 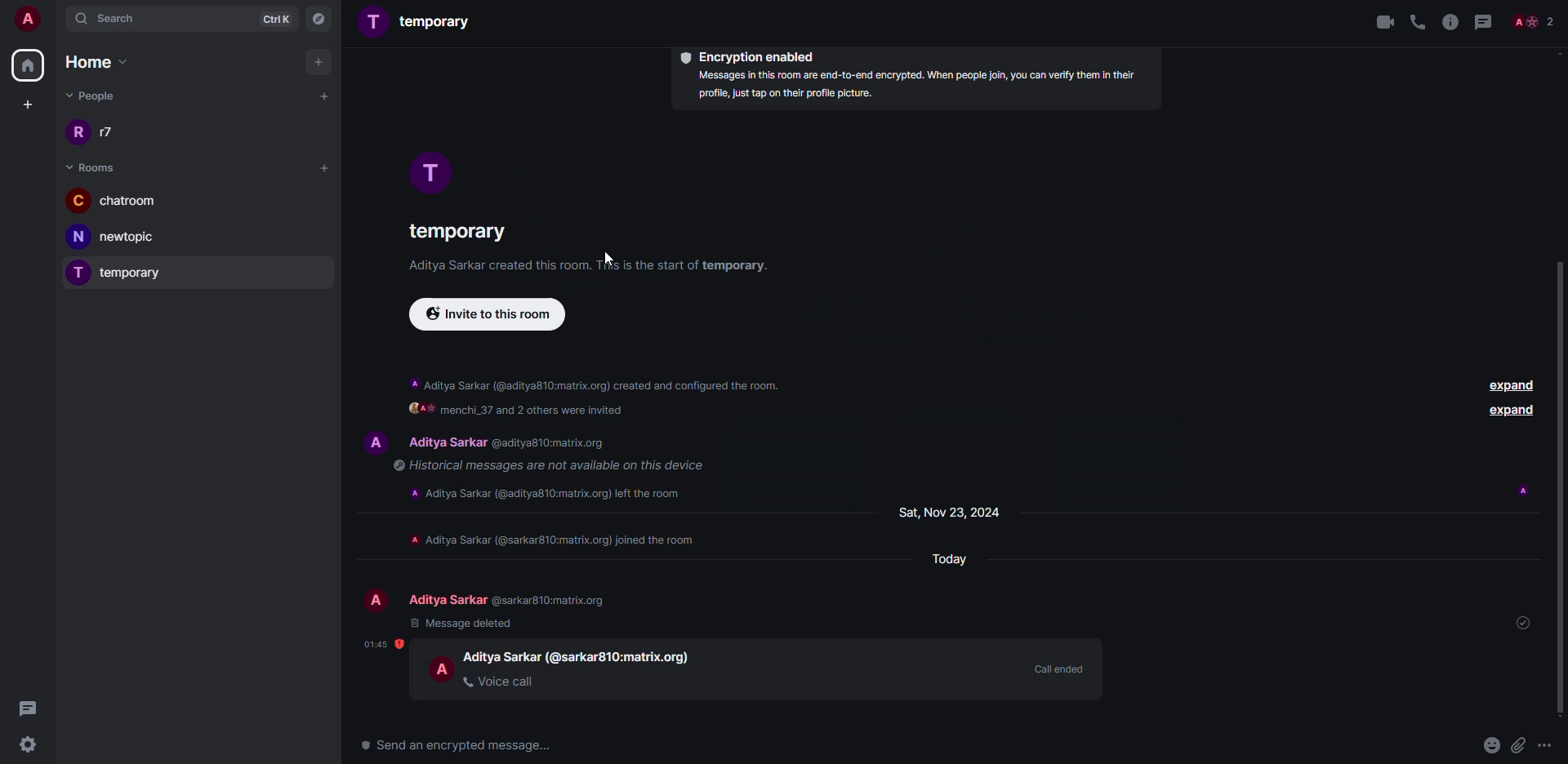 I want to click on voice call, so click(x=500, y=682).